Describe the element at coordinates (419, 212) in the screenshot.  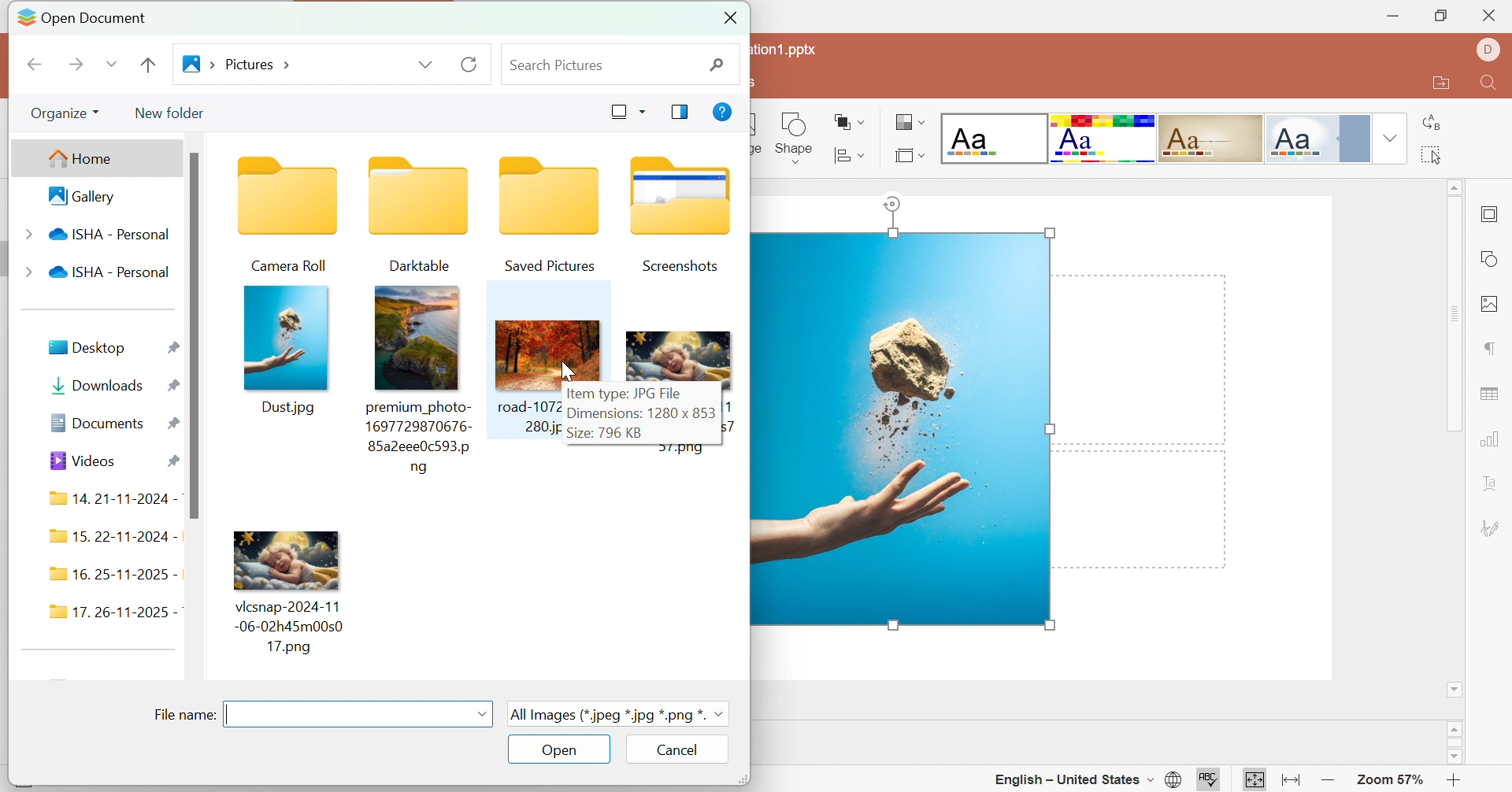
I see `Darktable` at that location.